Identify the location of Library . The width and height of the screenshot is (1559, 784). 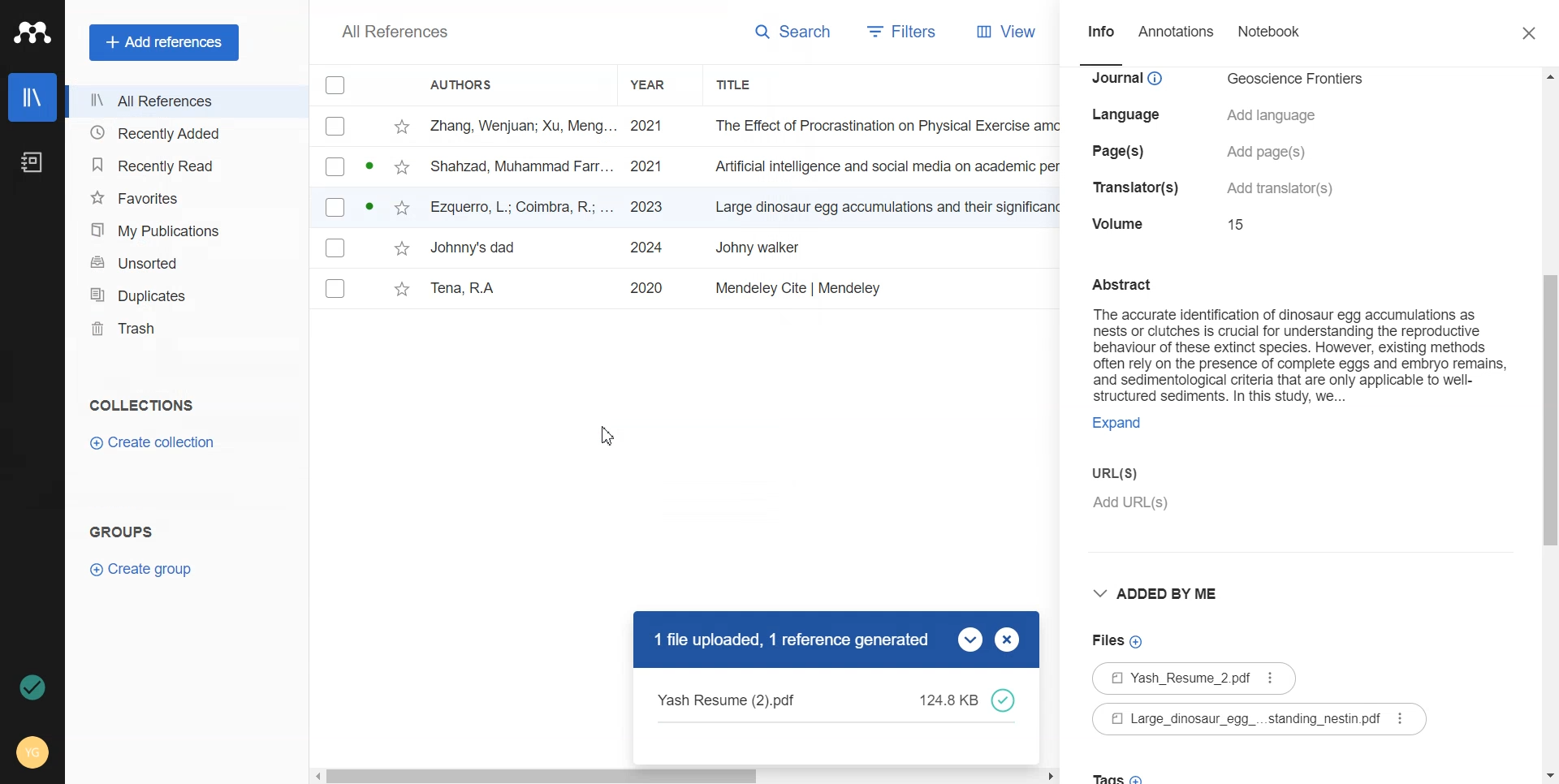
(32, 97).